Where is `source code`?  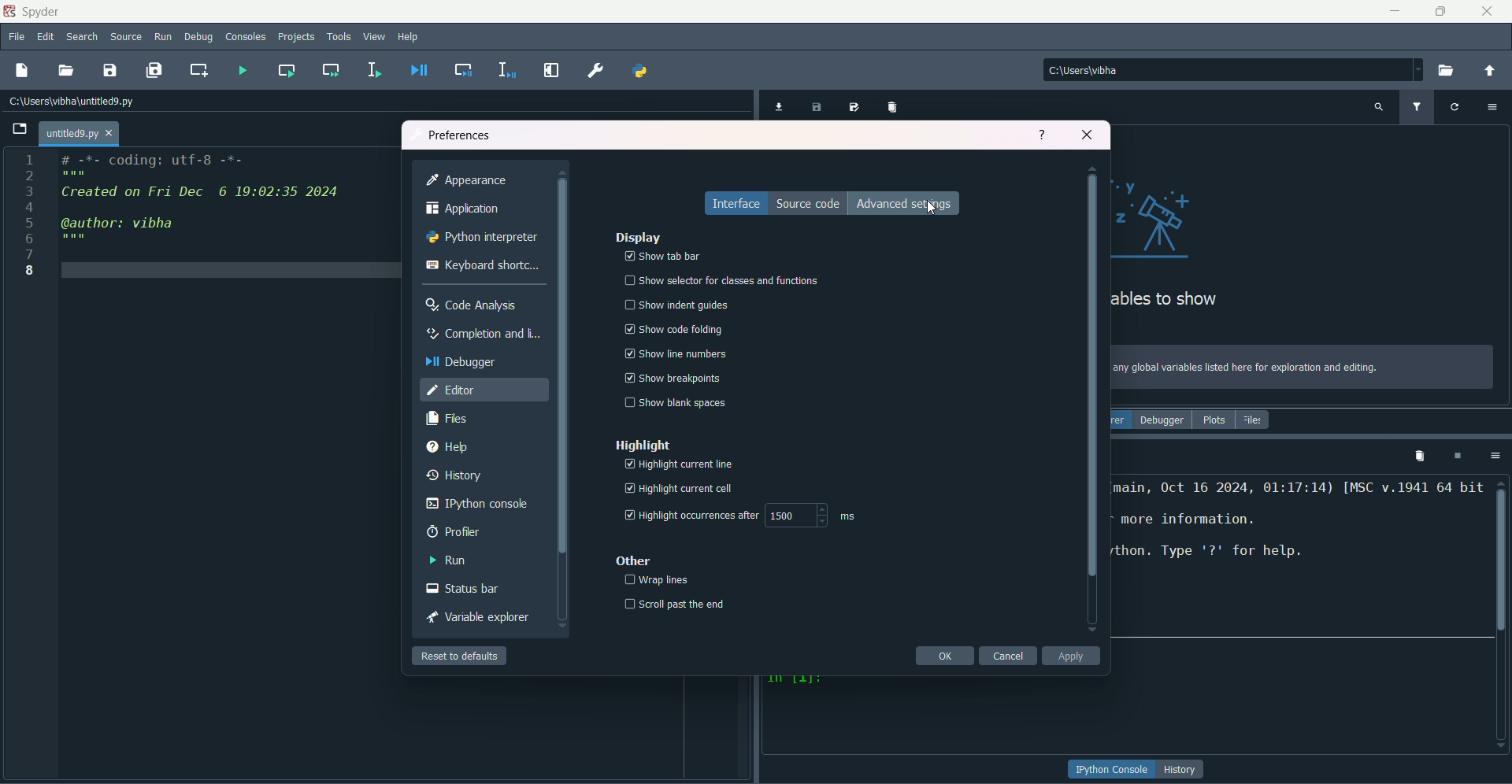
source code is located at coordinates (809, 203).